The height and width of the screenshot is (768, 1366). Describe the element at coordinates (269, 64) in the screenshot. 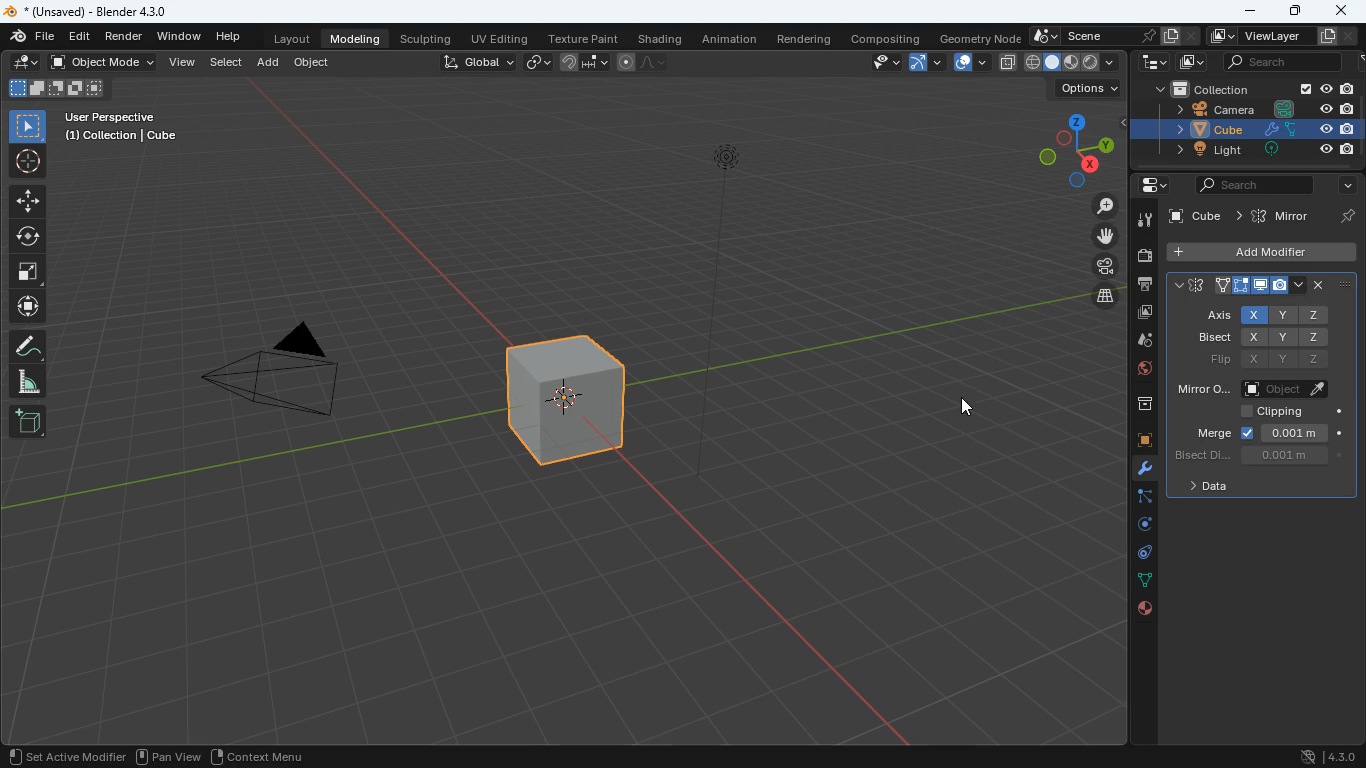

I see `add` at that location.